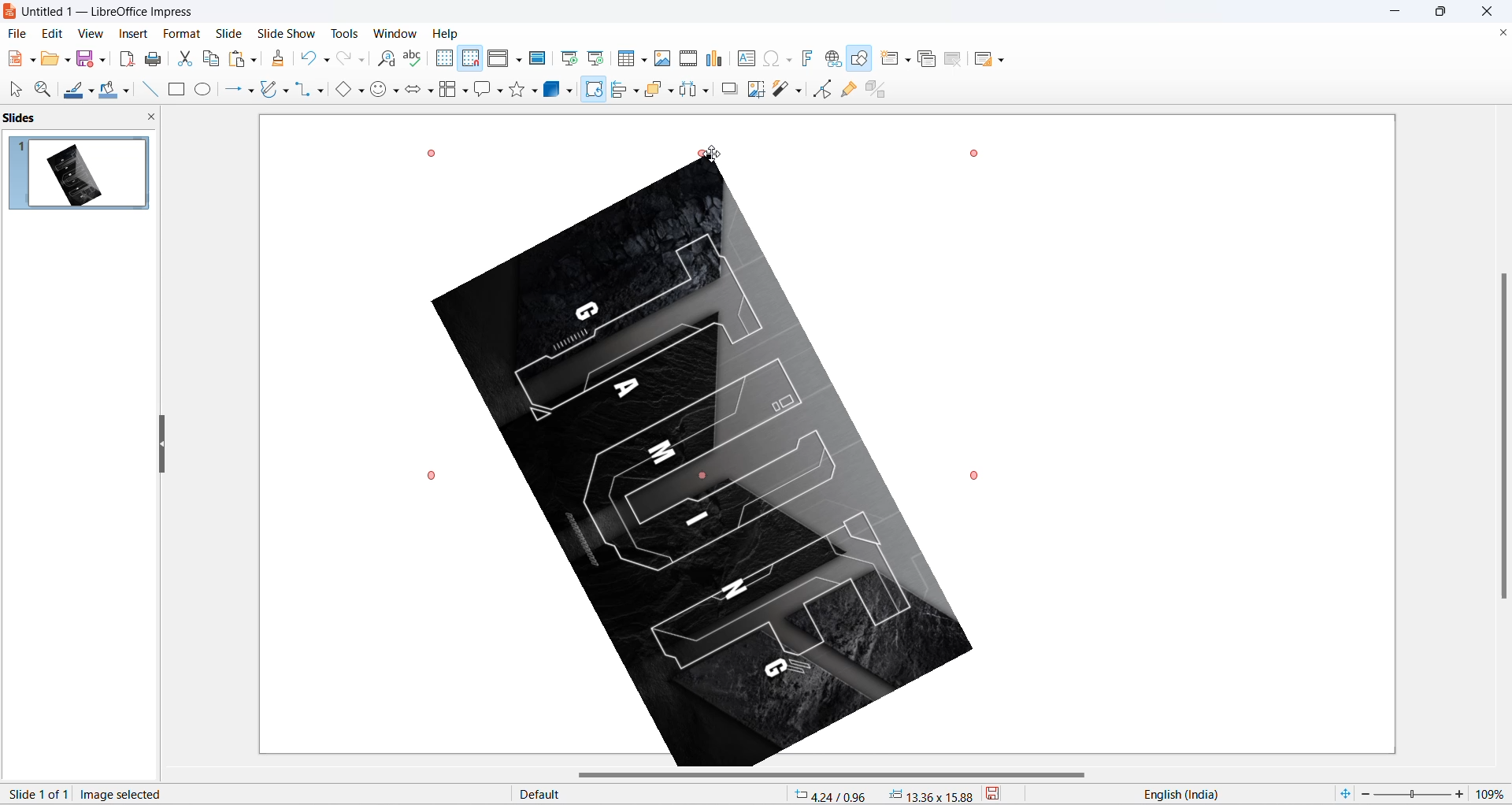 The height and width of the screenshot is (805, 1512). I want to click on paste, so click(239, 59).